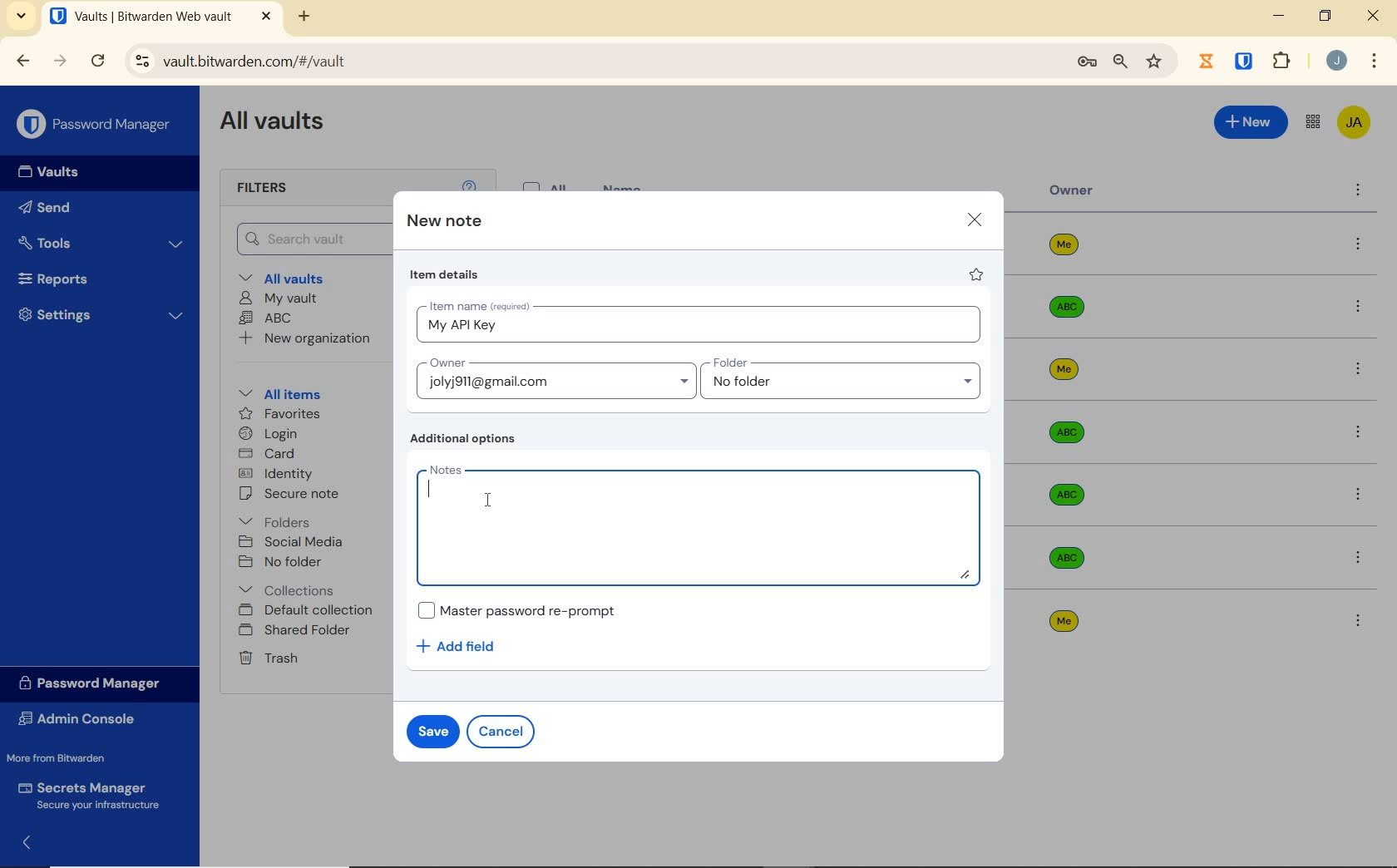 The width and height of the screenshot is (1397, 868). What do you see at coordinates (1087, 63) in the screenshot?
I see `manage passwords` at bounding box center [1087, 63].